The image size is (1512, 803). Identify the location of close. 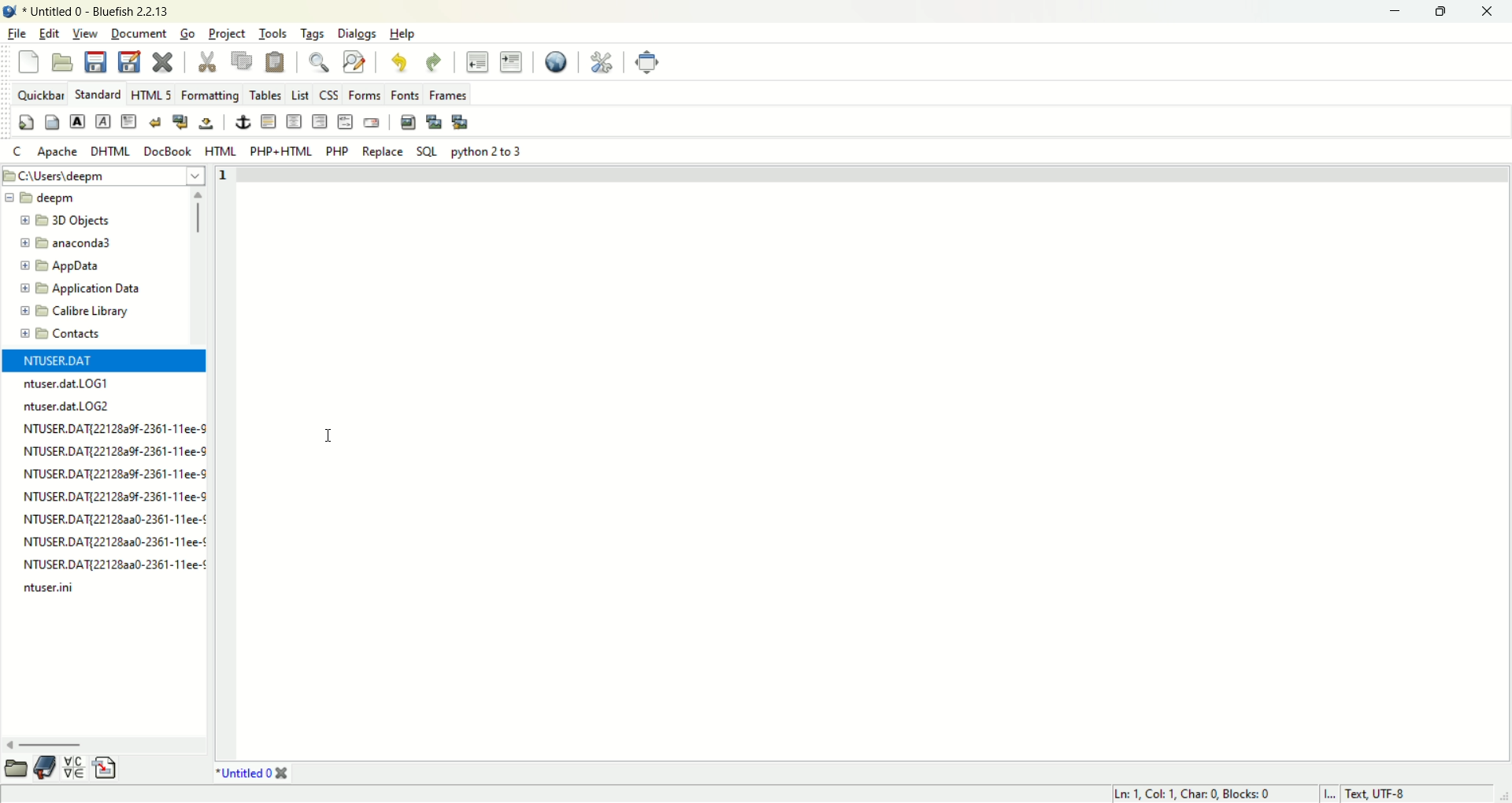
(286, 773).